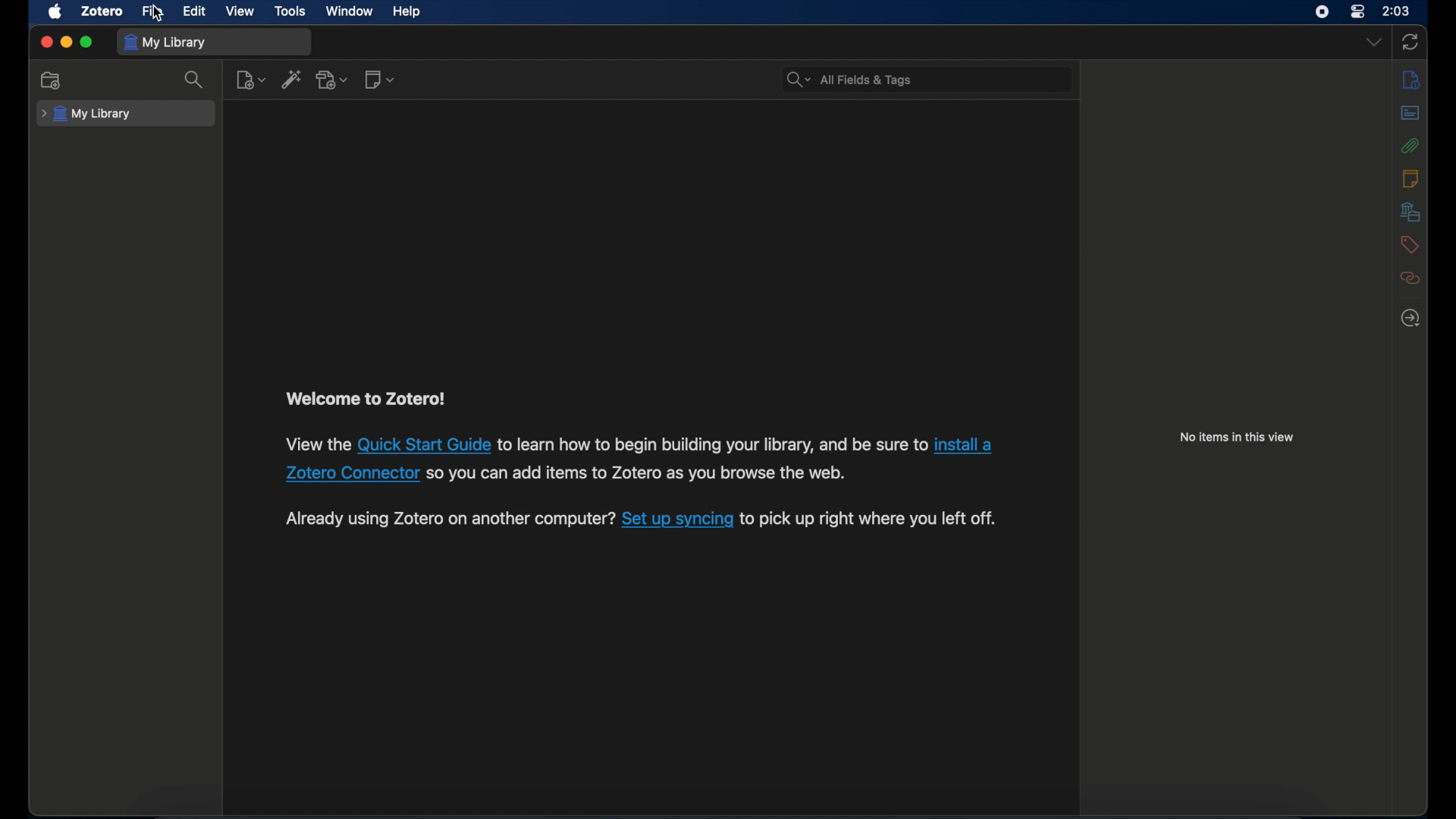 The width and height of the screenshot is (1456, 819). What do you see at coordinates (87, 42) in the screenshot?
I see `maximize` at bounding box center [87, 42].